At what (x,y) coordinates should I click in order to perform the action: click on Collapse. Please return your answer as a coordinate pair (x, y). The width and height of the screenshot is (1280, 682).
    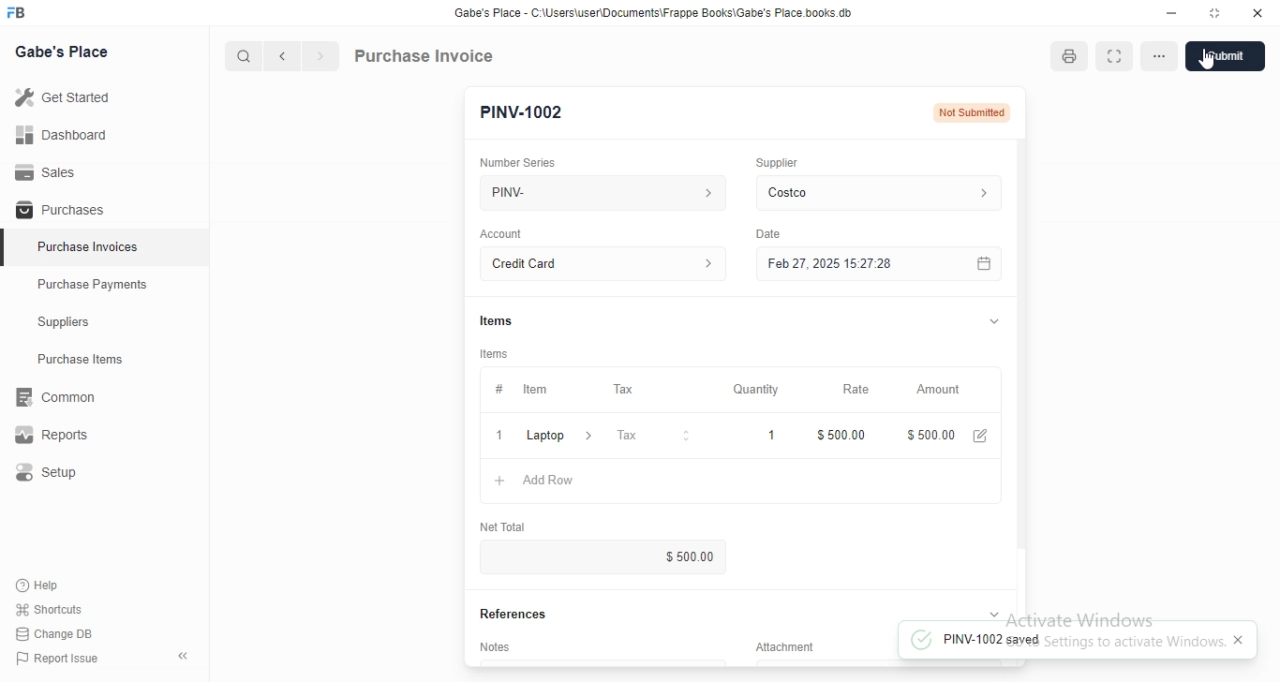
    Looking at the image, I should click on (994, 614).